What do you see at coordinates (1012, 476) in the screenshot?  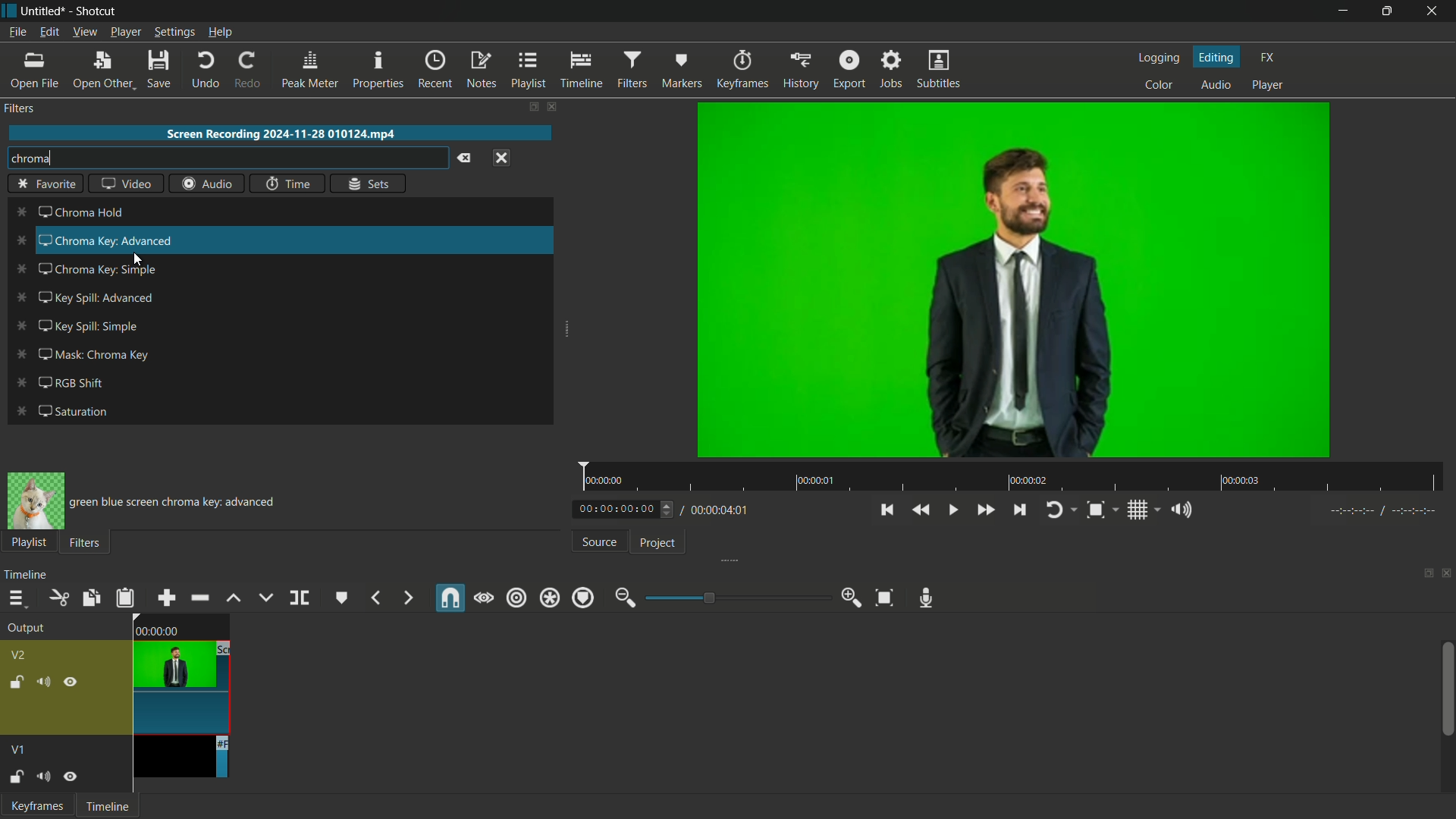 I see `time span` at bounding box center [1012, 476].